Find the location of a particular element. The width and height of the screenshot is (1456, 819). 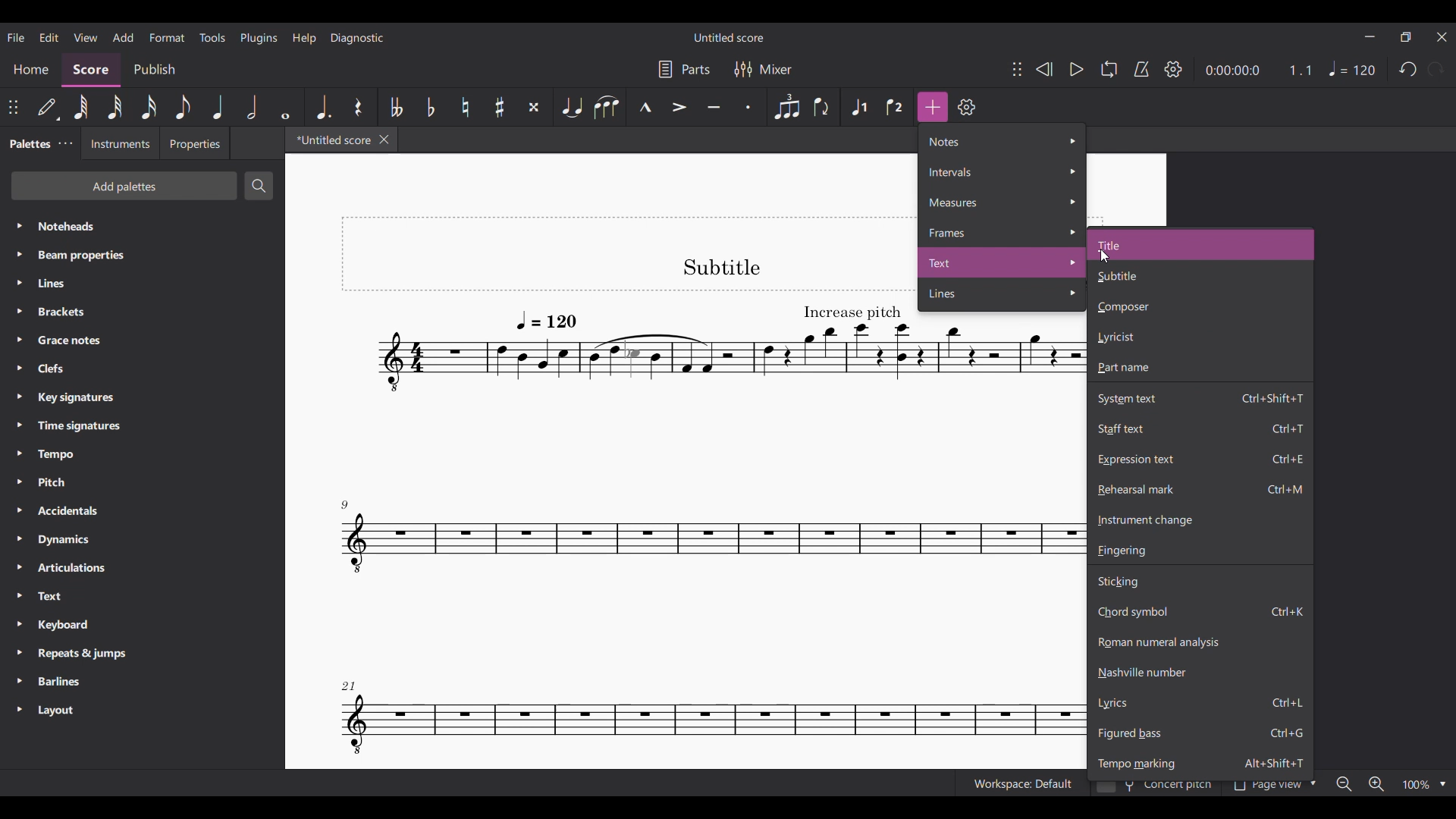

Grace notes is located at coordinates (142, 340).